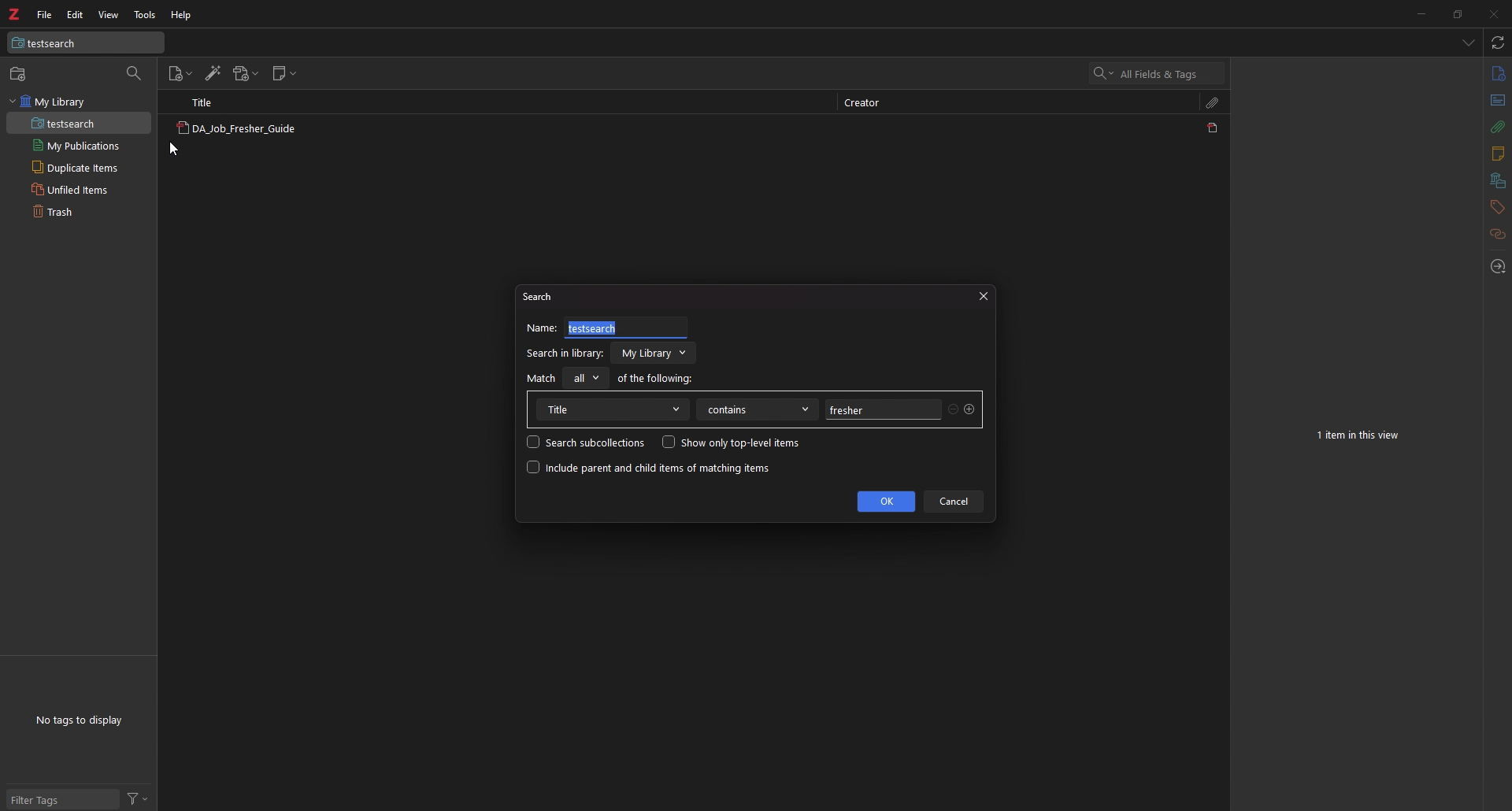 The image size is (1512, 811). I want to click on contains, so click(758, 409).